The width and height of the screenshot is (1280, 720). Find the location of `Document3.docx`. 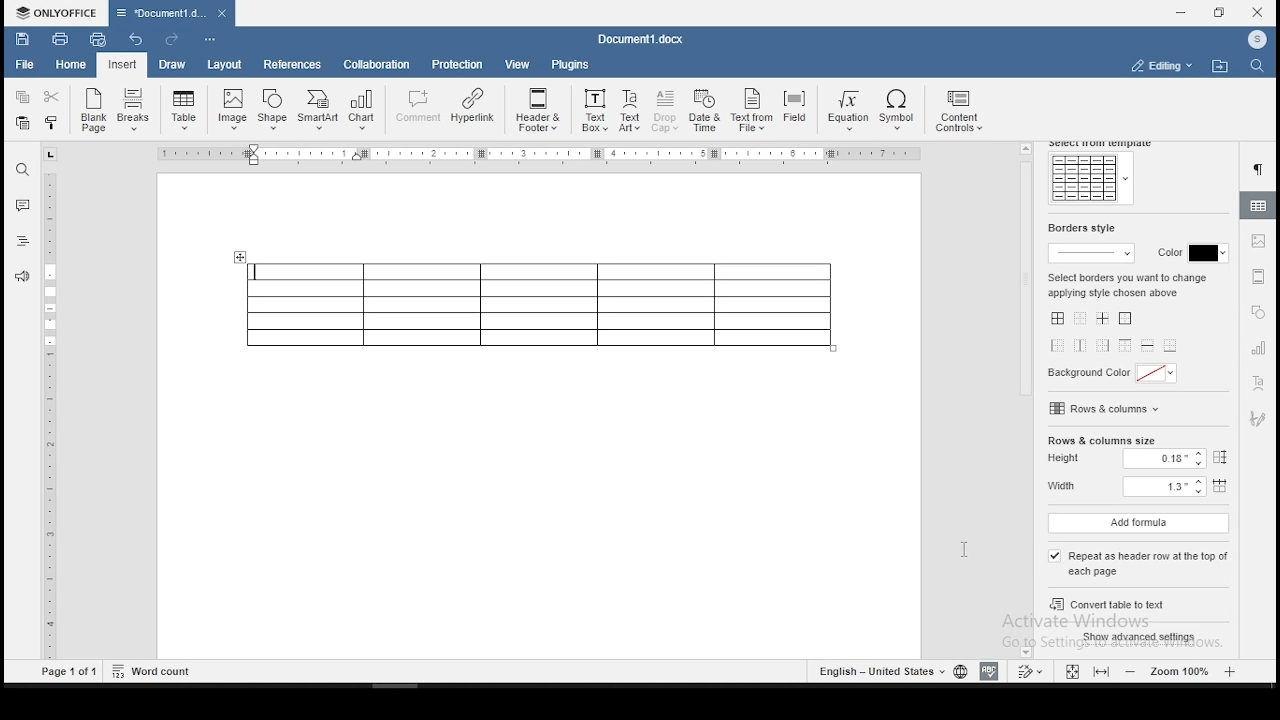

Document3.docx is located at coordinates (644, 39).